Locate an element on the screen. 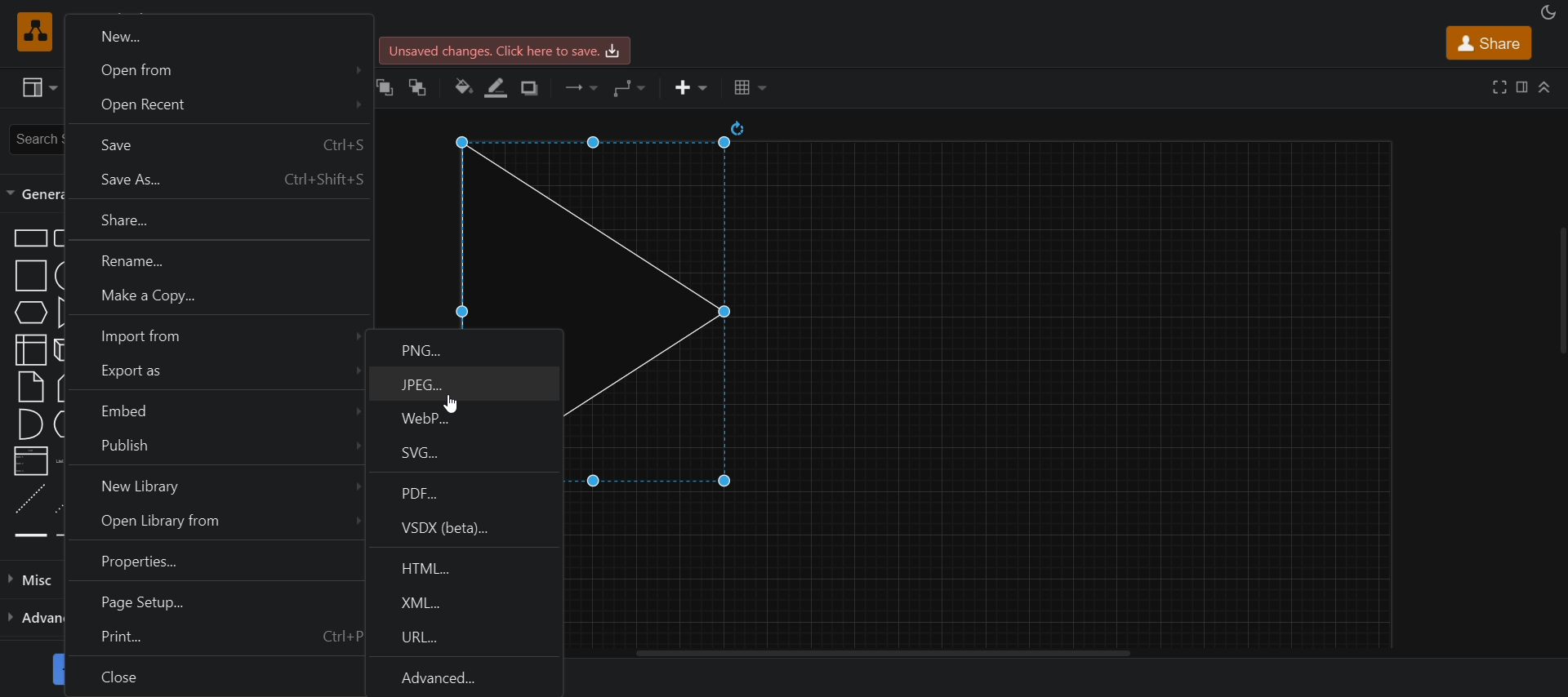 This screenshot has height=697, width=1568. appearance is located at coordinates (1546, 12).